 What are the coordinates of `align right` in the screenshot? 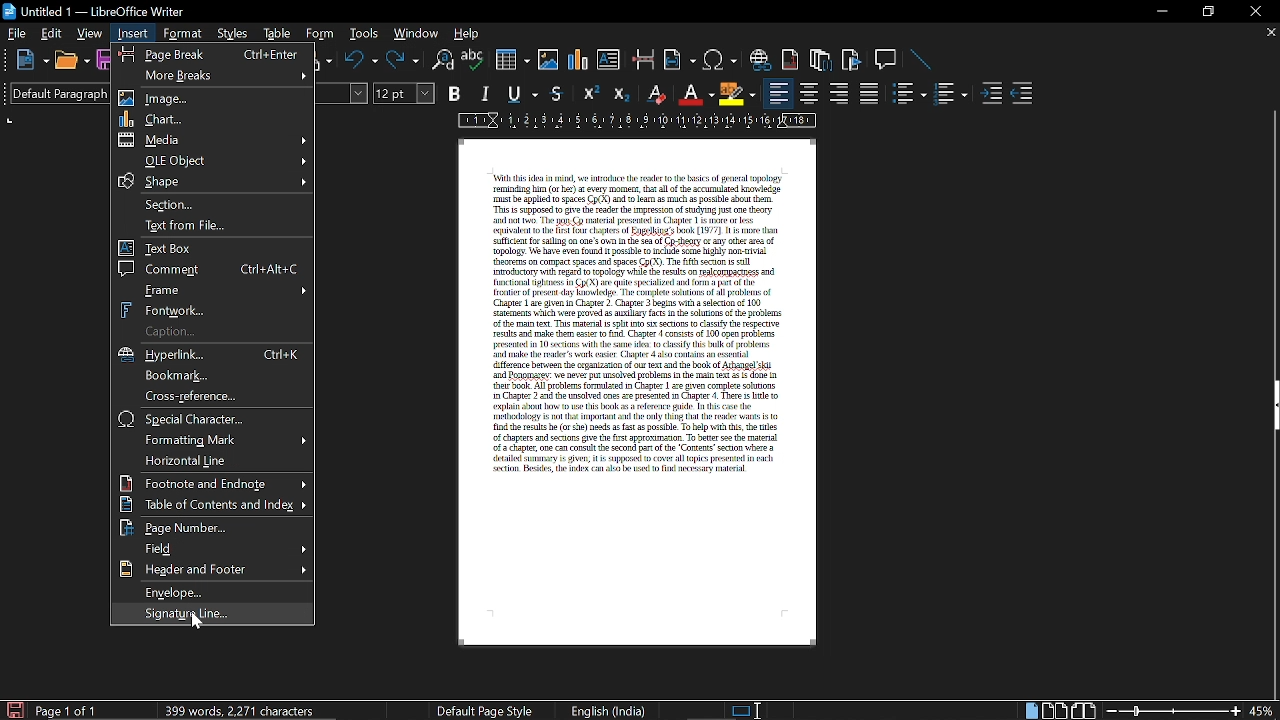 It's located at (841, 94).